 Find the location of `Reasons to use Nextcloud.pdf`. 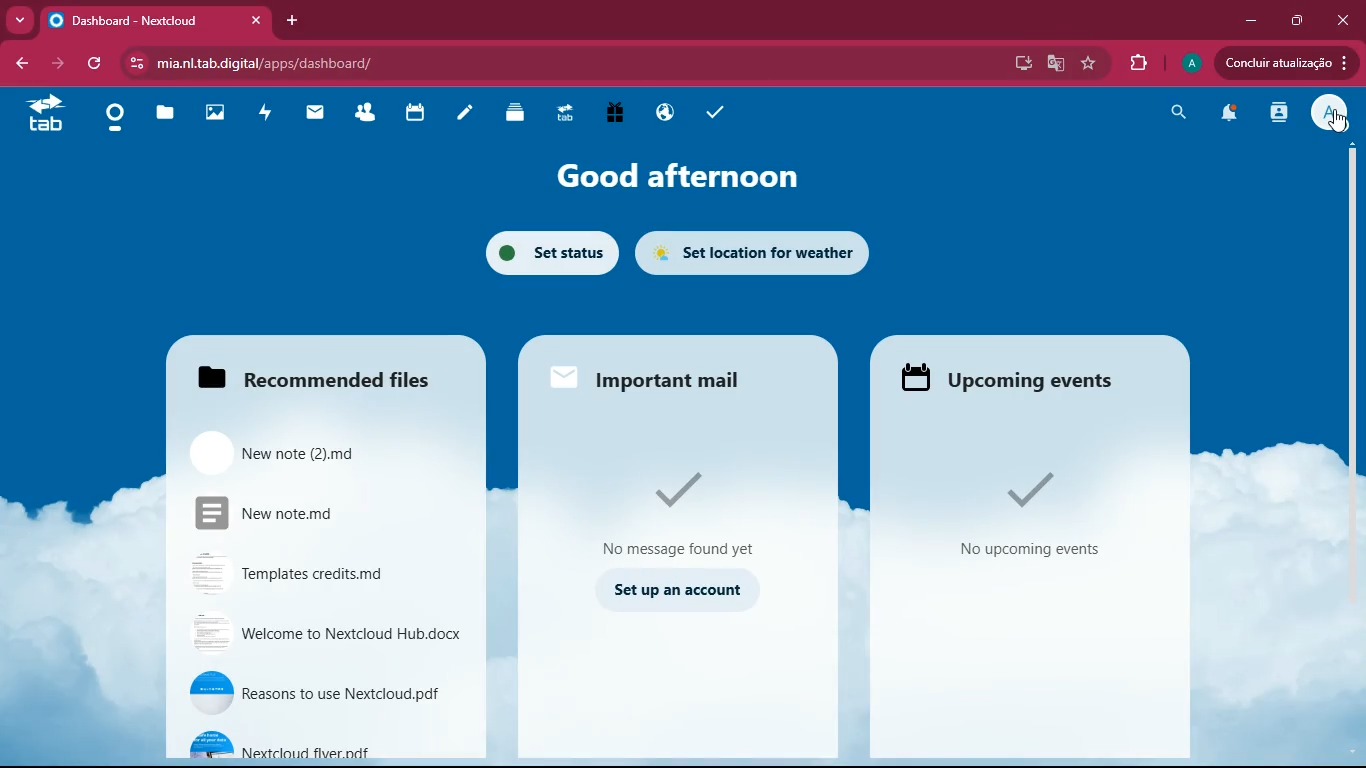

Reasons to use Nextcloud.pdf is located at coordinates (324, 692).